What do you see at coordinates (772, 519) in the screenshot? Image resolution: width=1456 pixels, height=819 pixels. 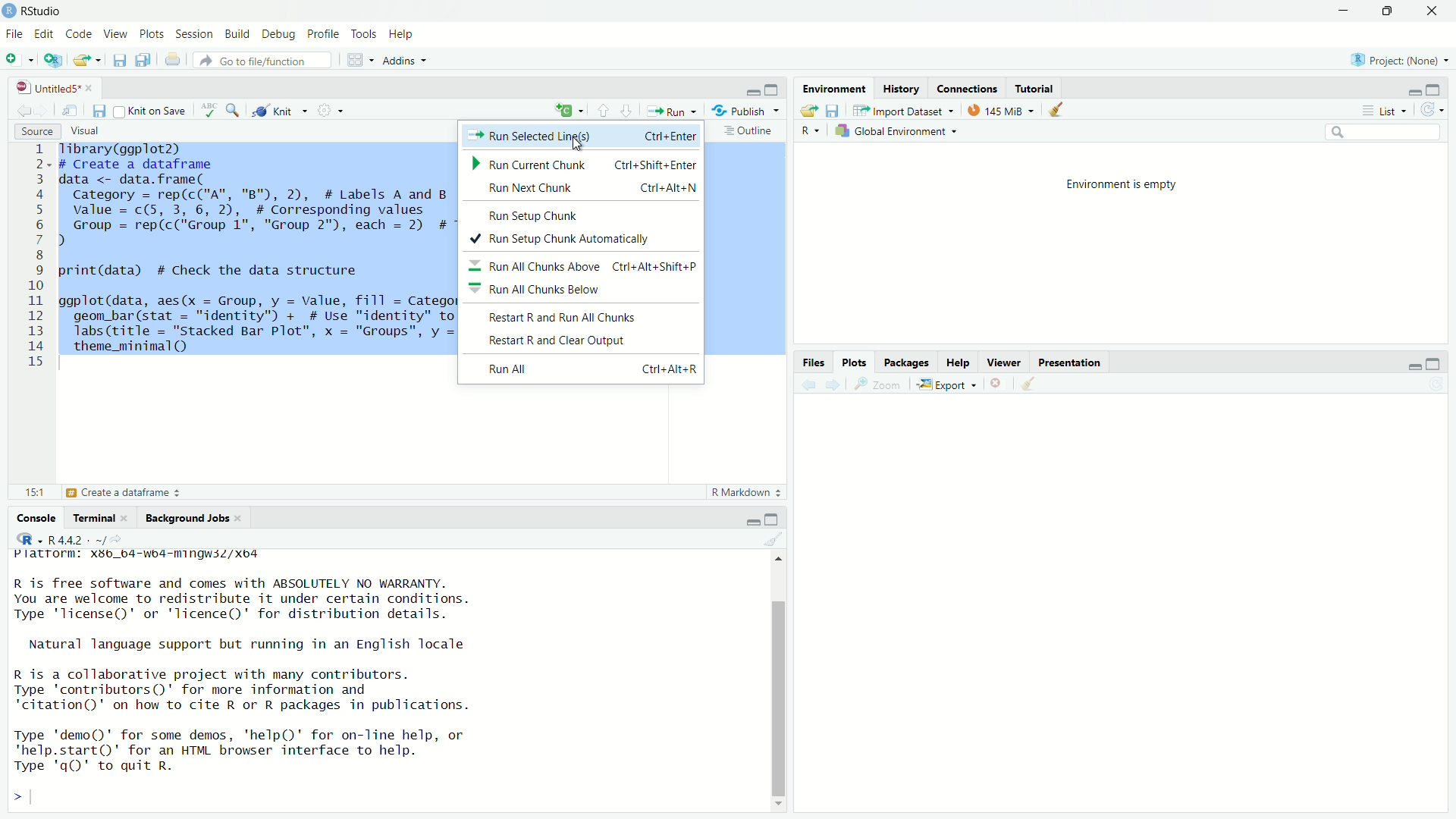 I see `Maximize` at bounding box center [772, 519].